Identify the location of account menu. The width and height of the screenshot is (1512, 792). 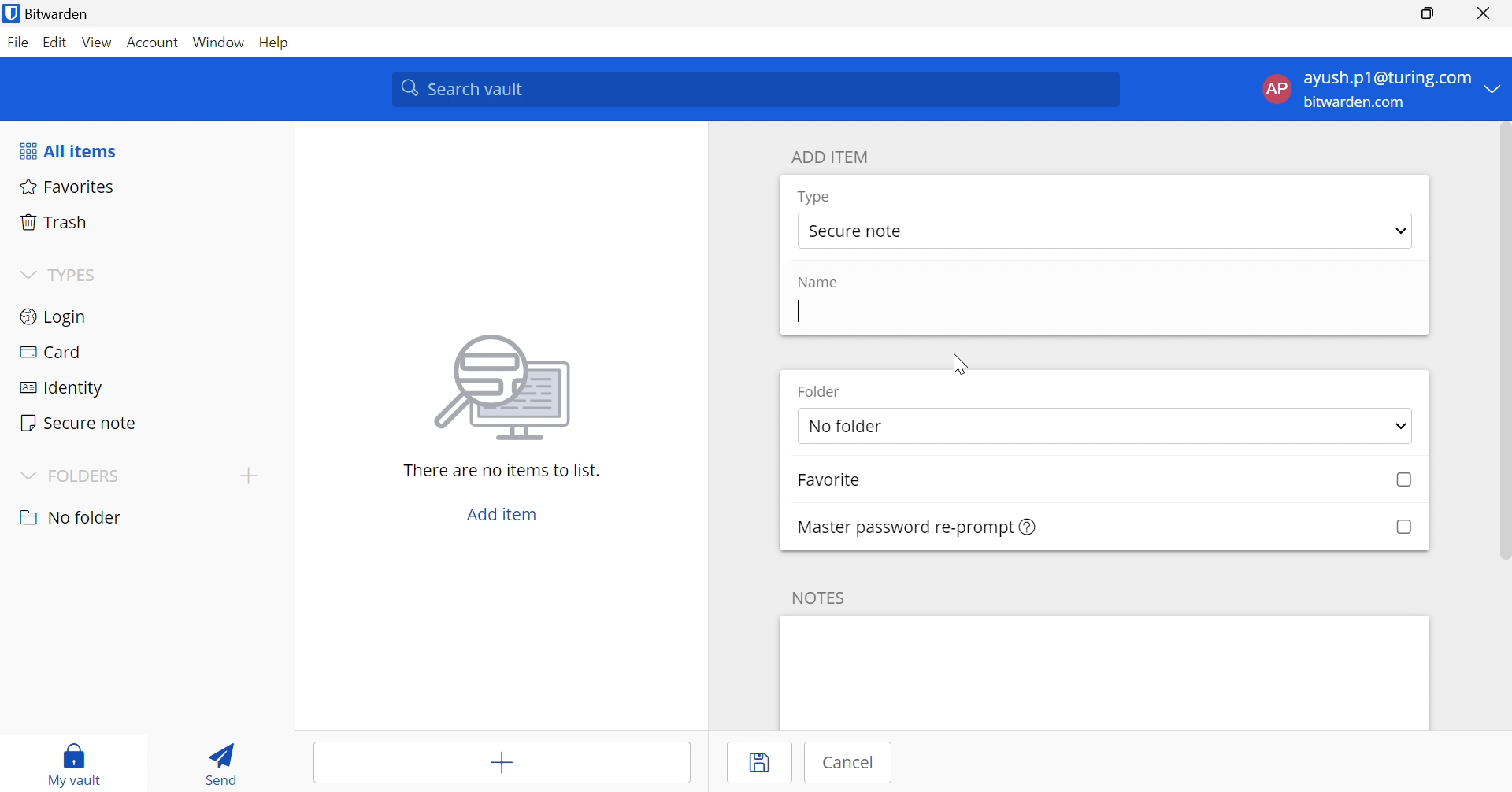
(1379, 90).